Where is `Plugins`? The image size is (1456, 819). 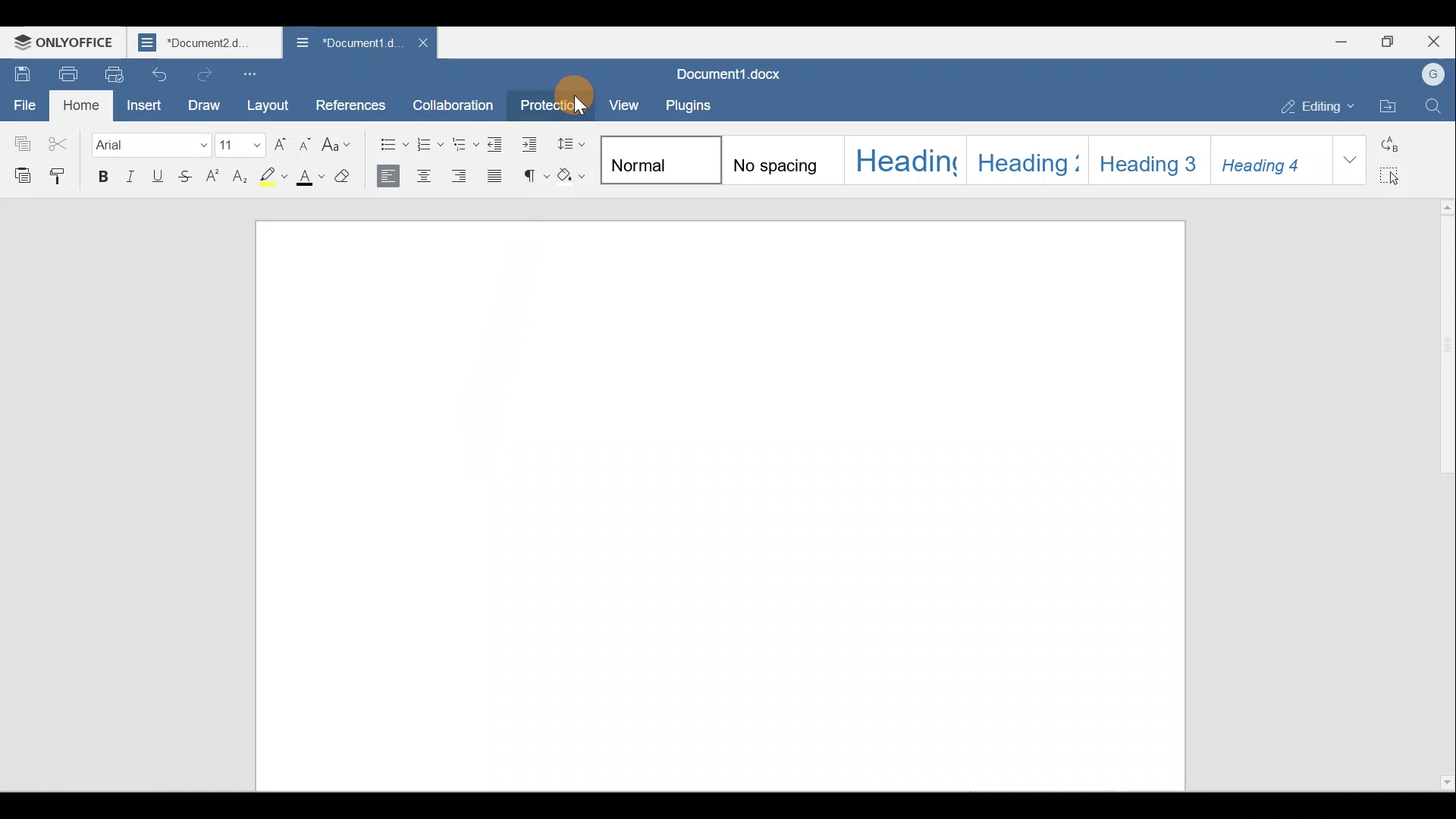
Plugins is located at coordinates (688, 105).